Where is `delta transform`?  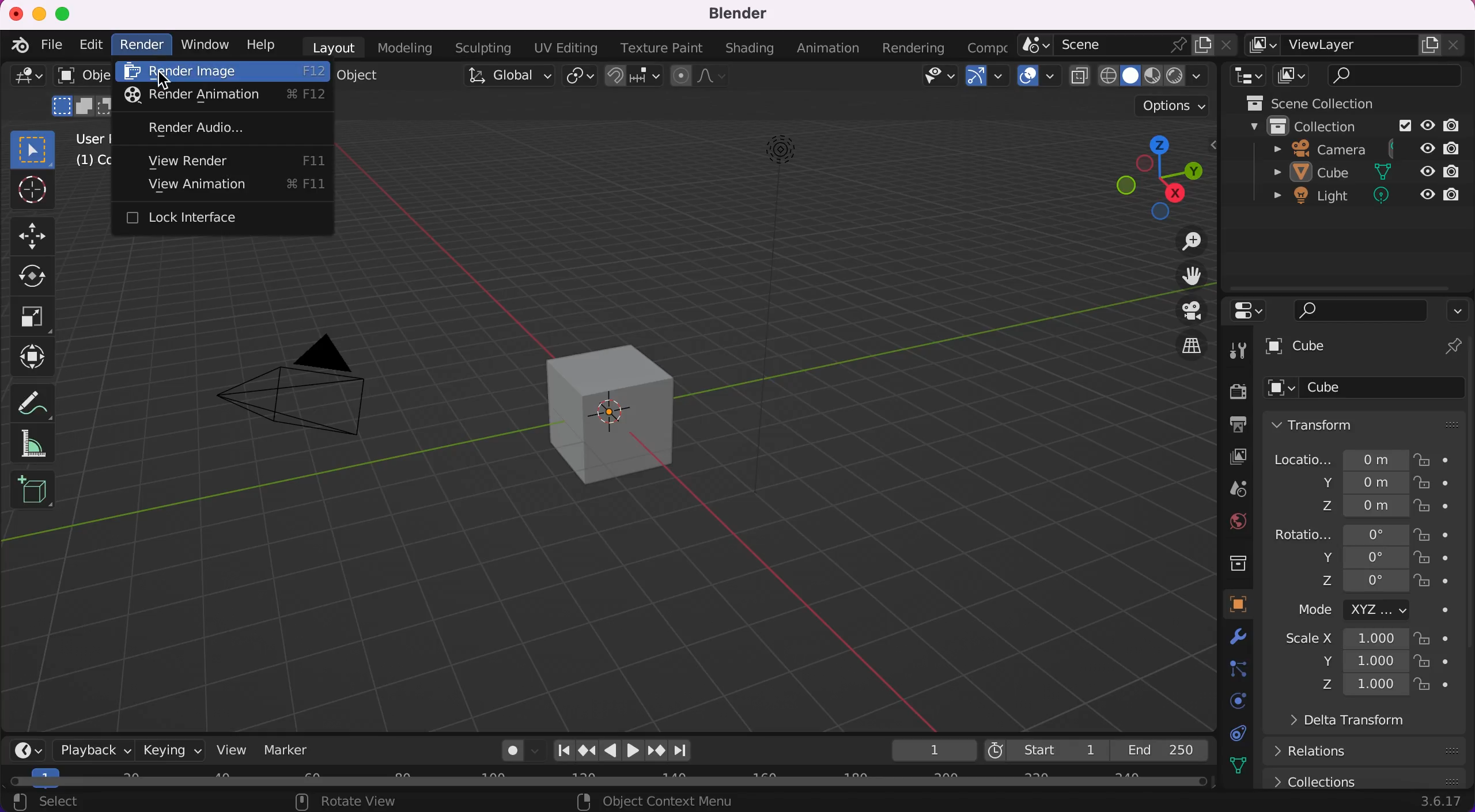 delta transform is located at coordinates (1359, 722).